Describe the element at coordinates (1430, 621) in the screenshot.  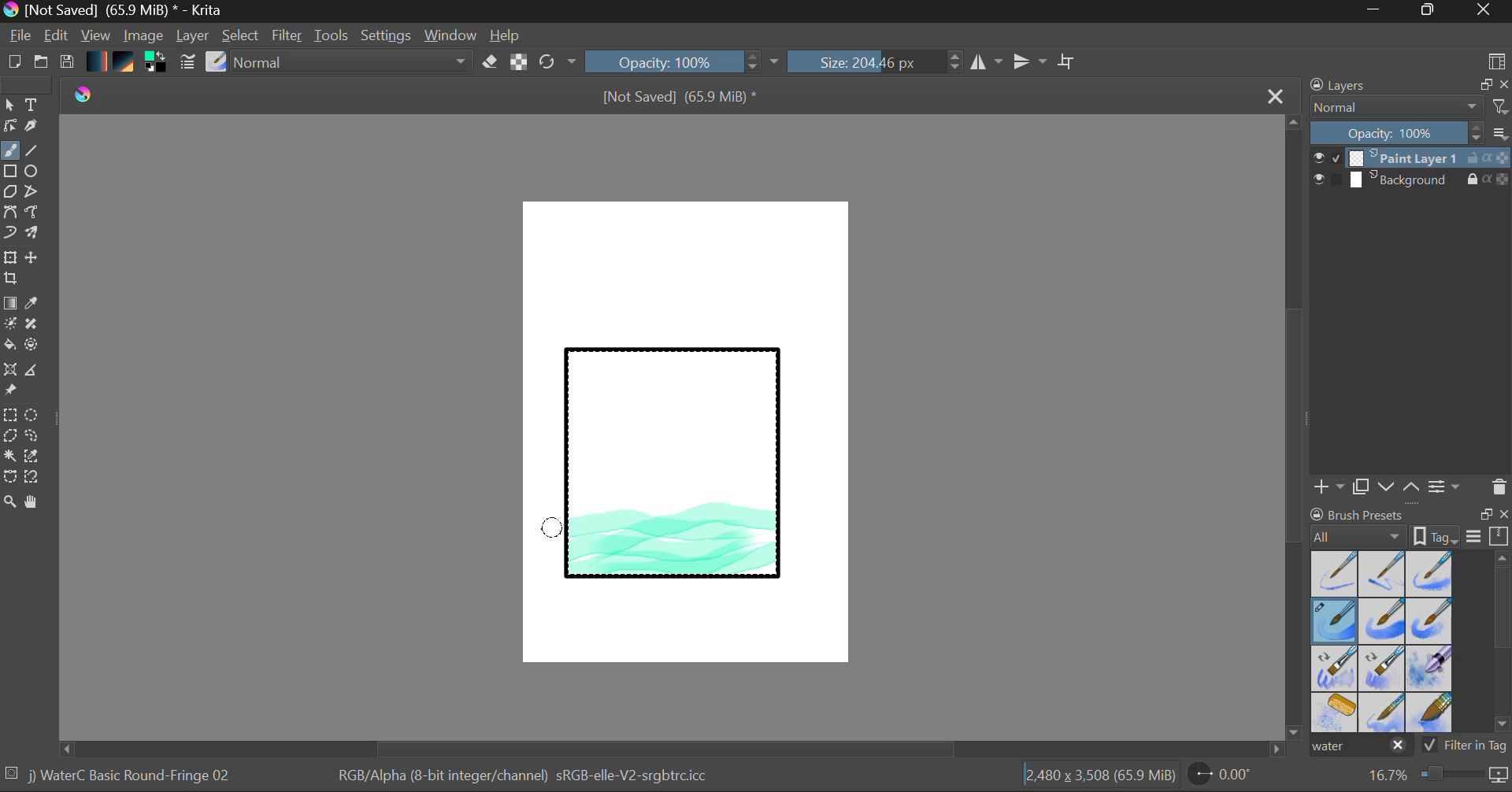
I see `Water C - Grunge` at that location.